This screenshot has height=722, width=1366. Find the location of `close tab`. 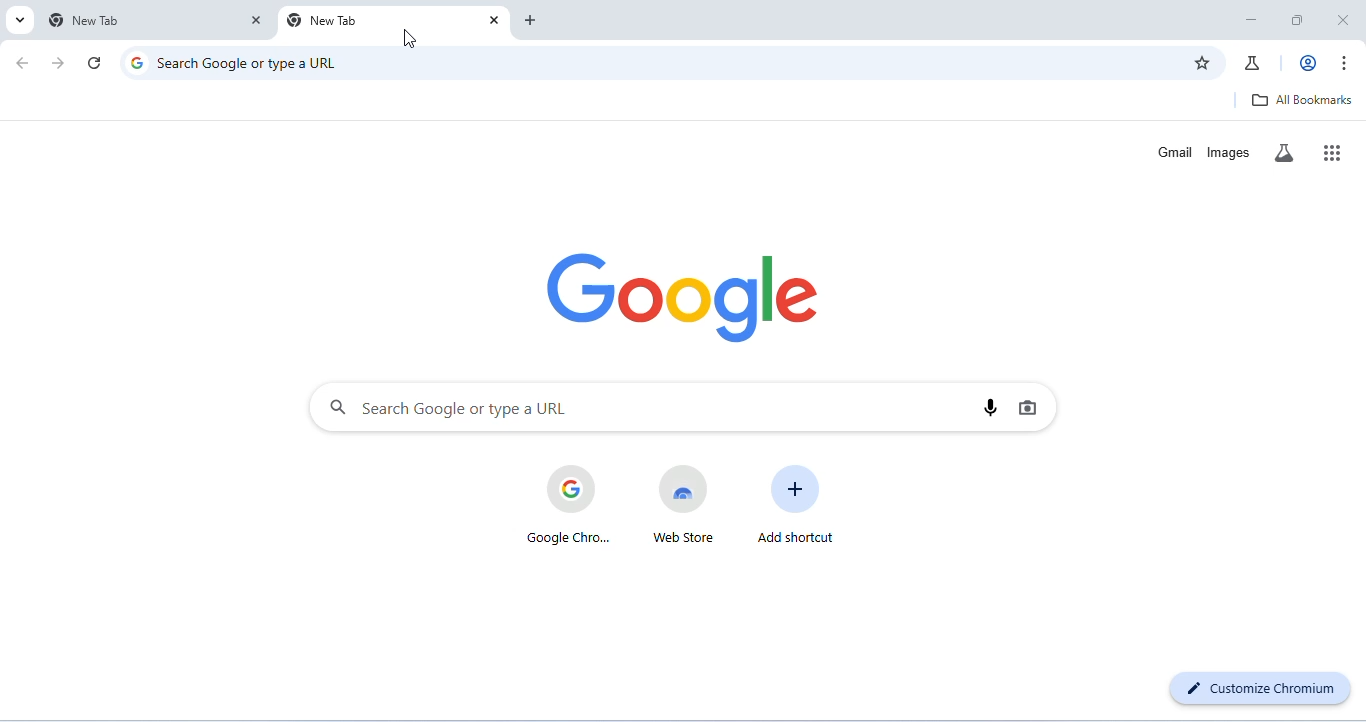

close tab is located at coordinates (257, 20).